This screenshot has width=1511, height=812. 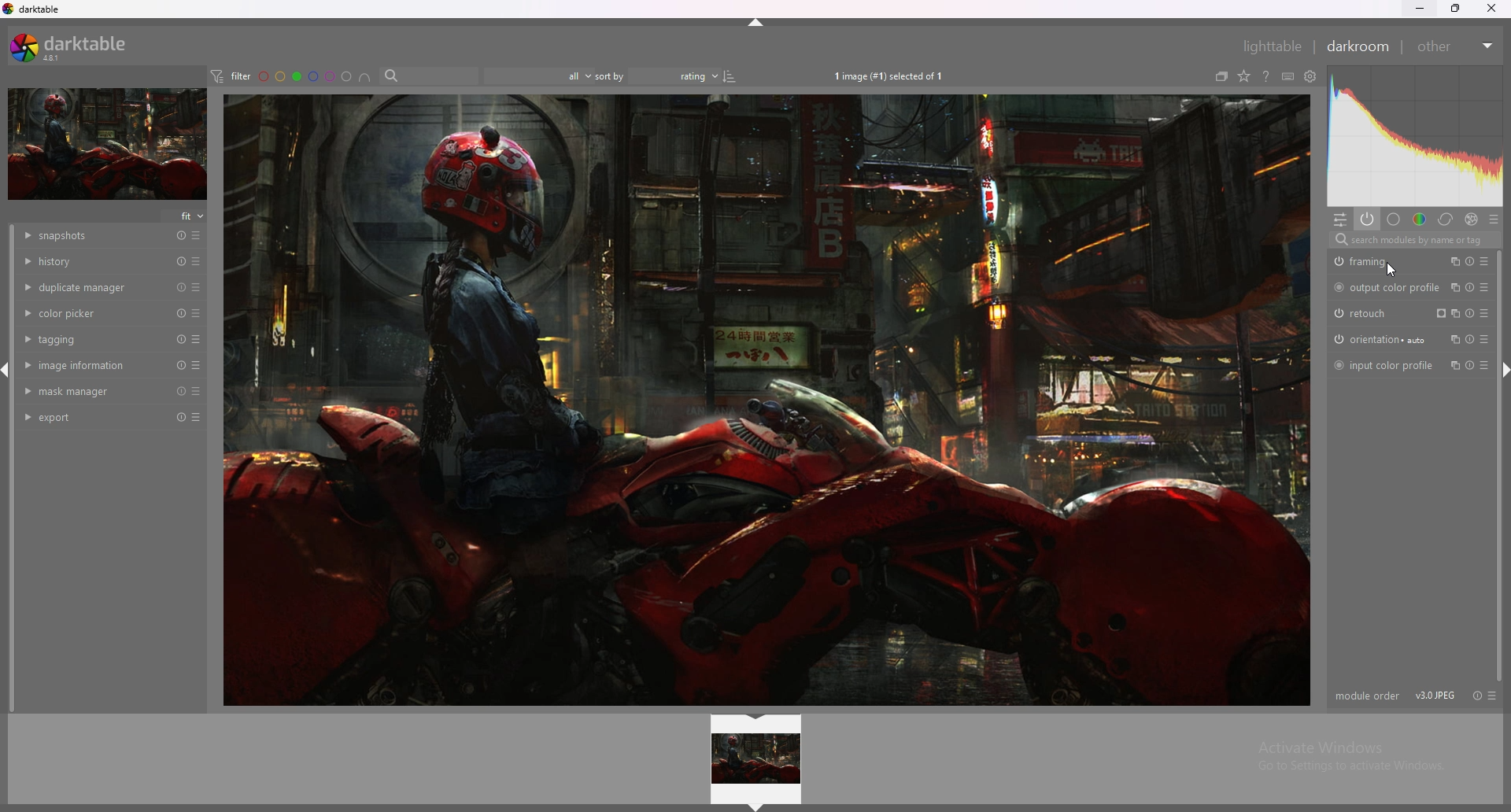 I want to click on multiple instances action, so click(x=1455, y=288).